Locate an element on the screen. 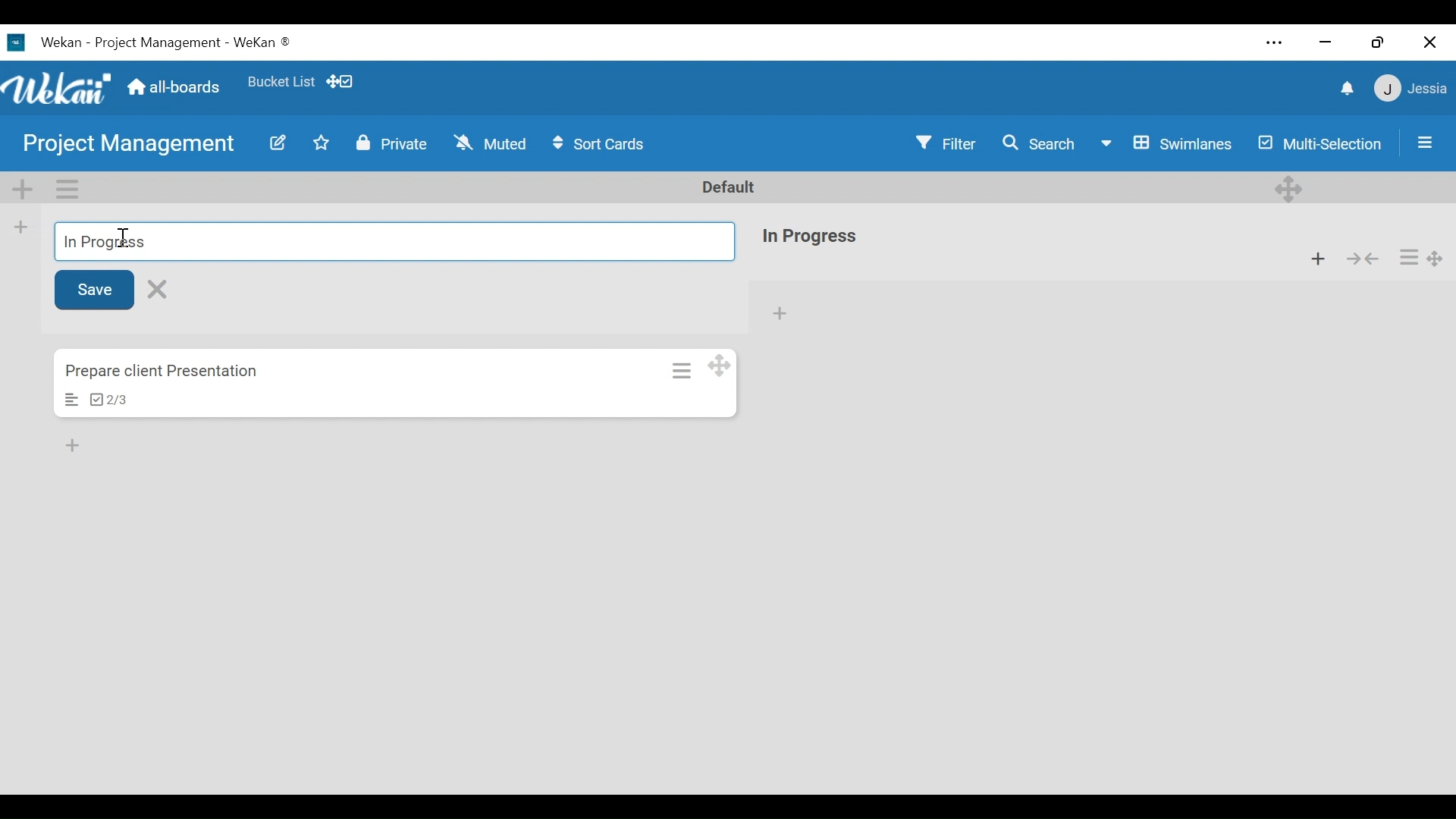 The height and width of the screenshot is (819, 1456). list name field is located at coordinates (394, 241).